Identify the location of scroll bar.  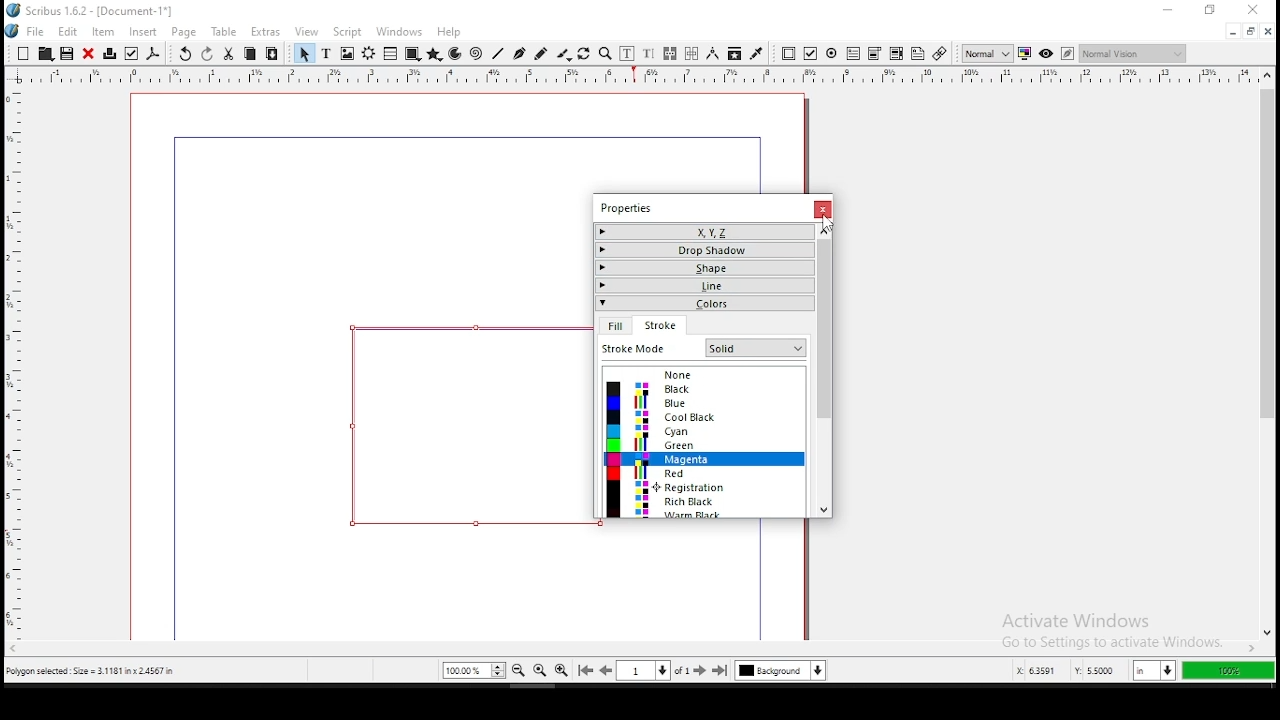
(1266, 354).